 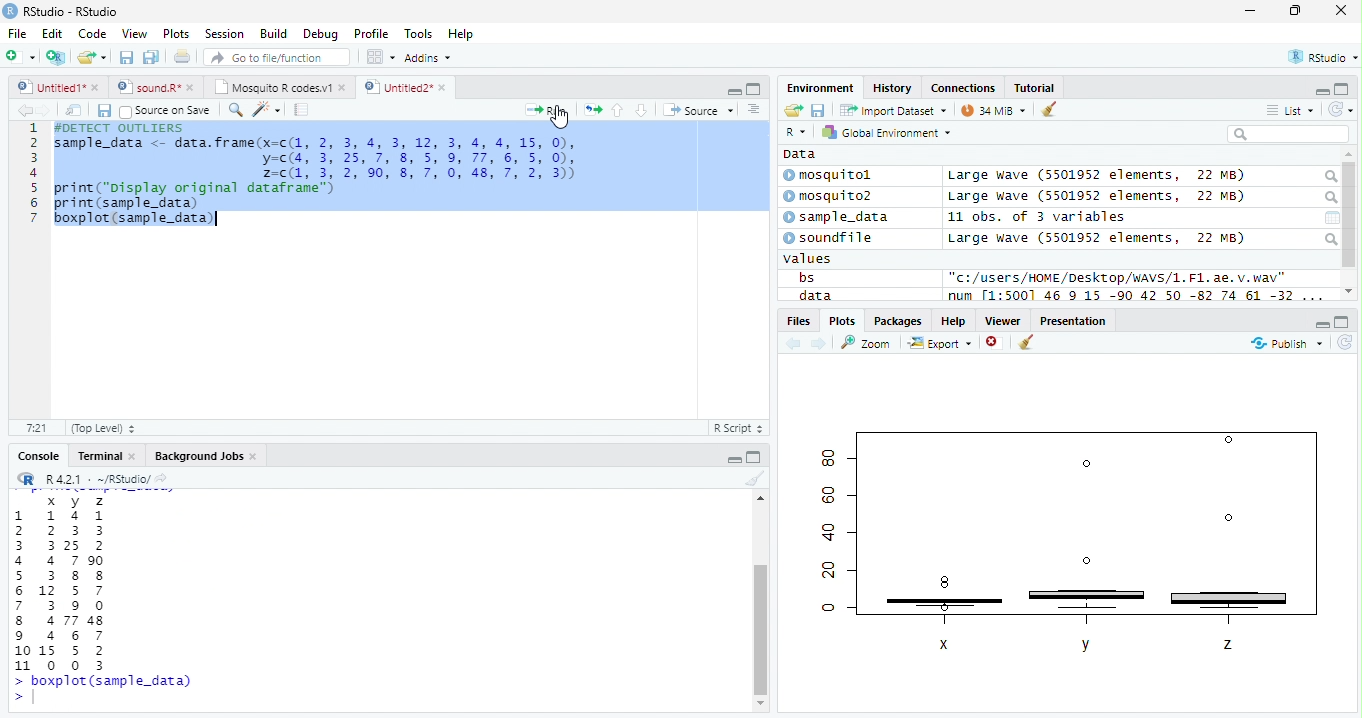 What do you see at coordinates (25, 109) in the screenshot?
I see `Go backward` at bounding box center [25, 109].